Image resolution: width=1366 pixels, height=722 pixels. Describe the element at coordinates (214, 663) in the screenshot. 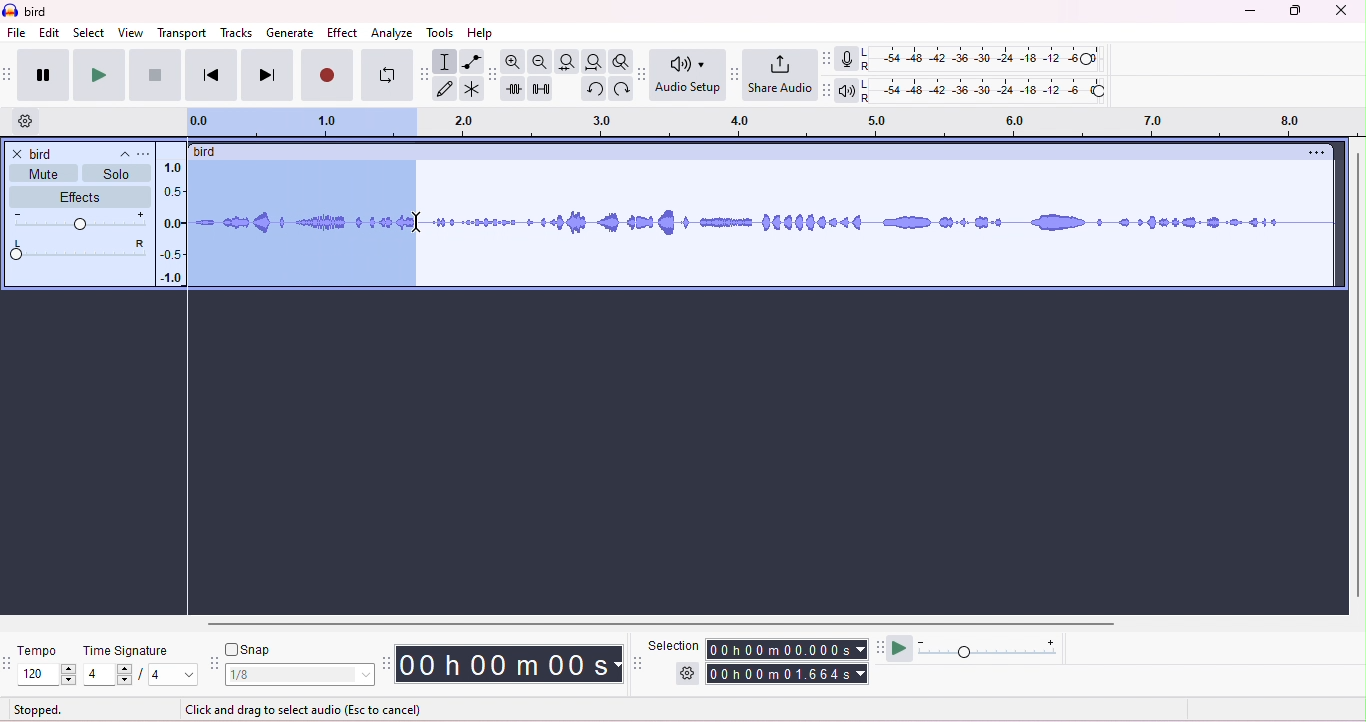

I see `snap tool bar` at that location.